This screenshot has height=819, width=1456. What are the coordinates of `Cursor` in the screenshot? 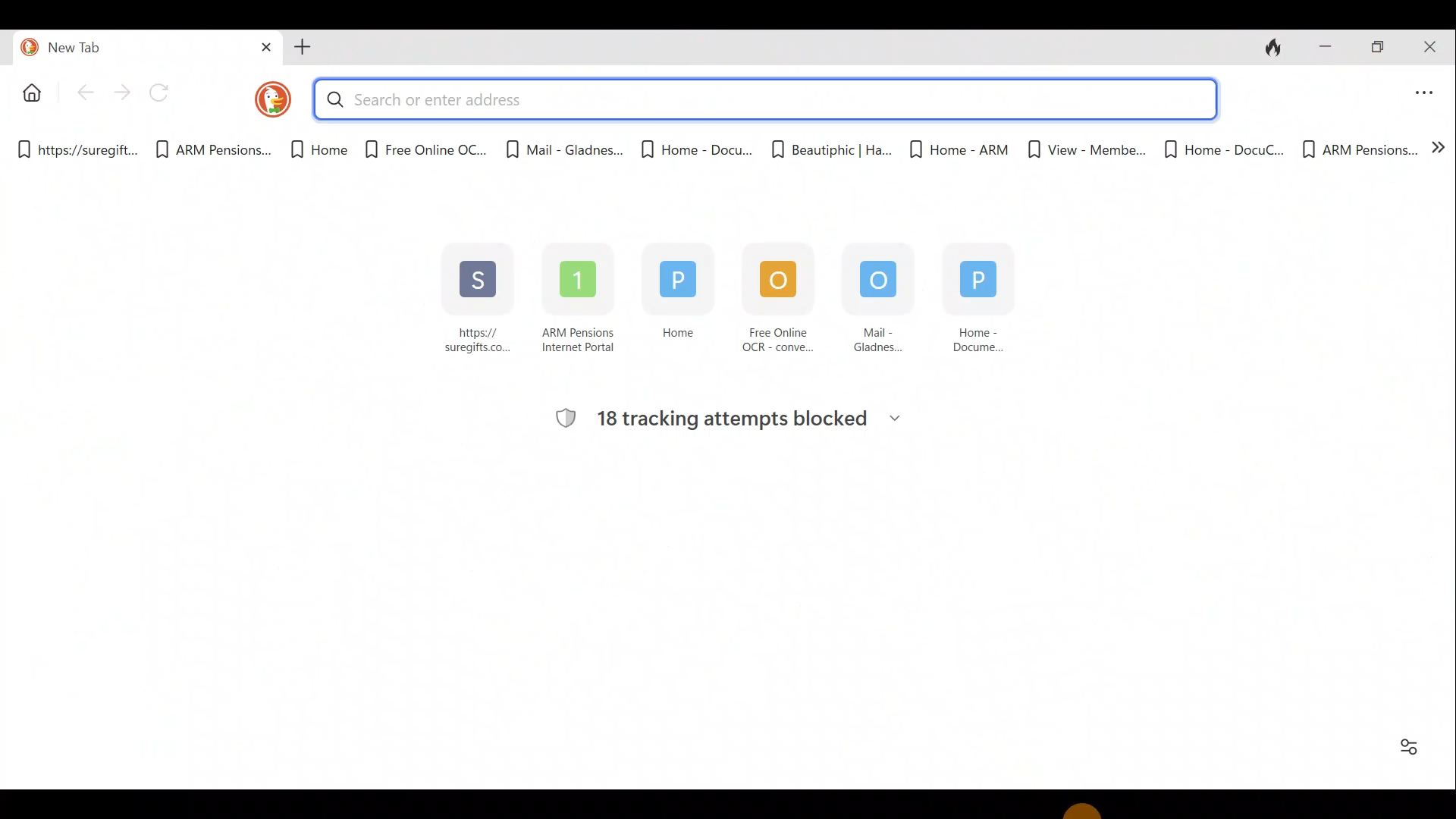 It's located at (1094, 805).